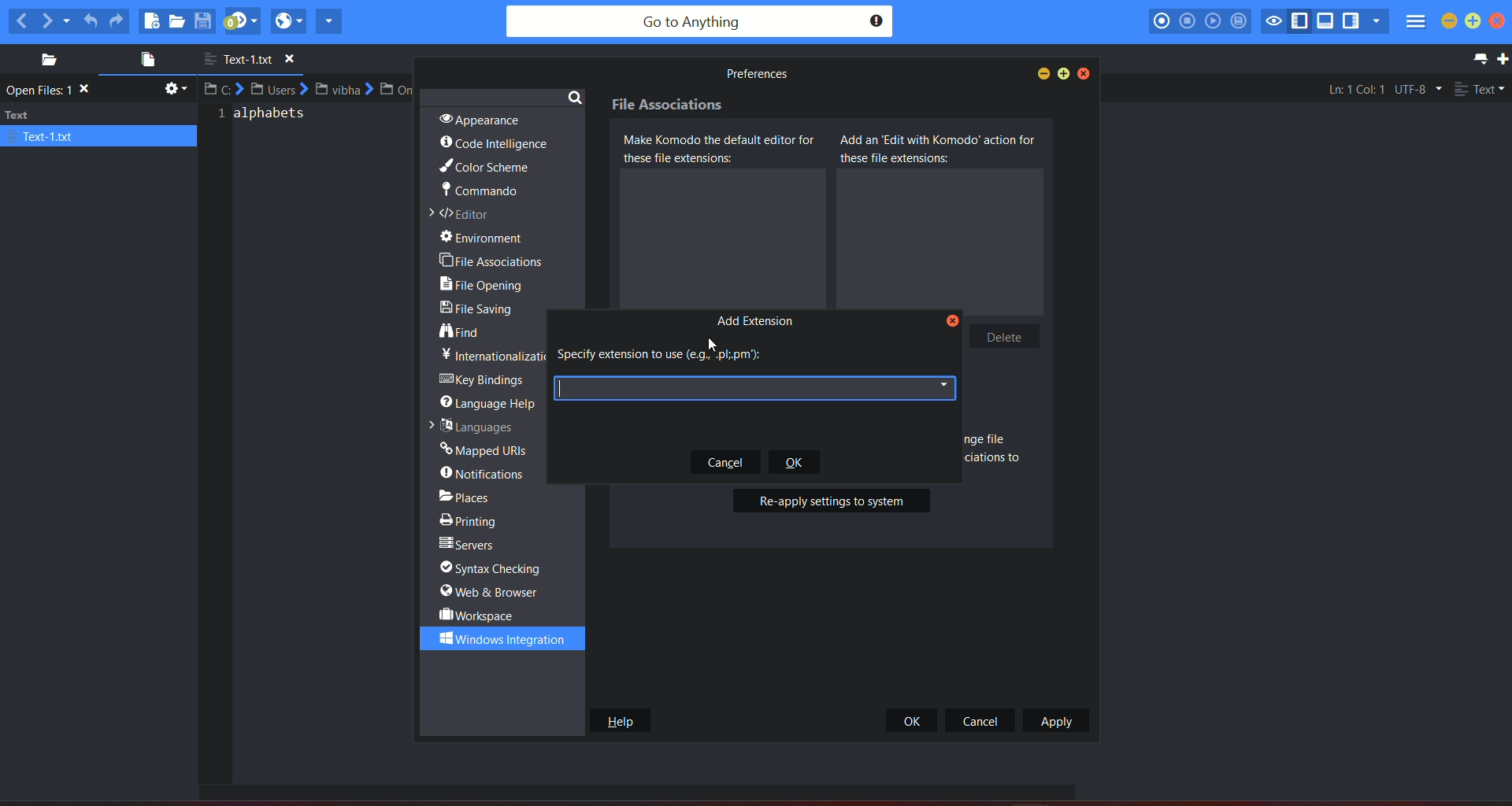  What do you see at coordinates (998, 453) in the screenshot?
I see `Text` at bounding box center [998, 453].